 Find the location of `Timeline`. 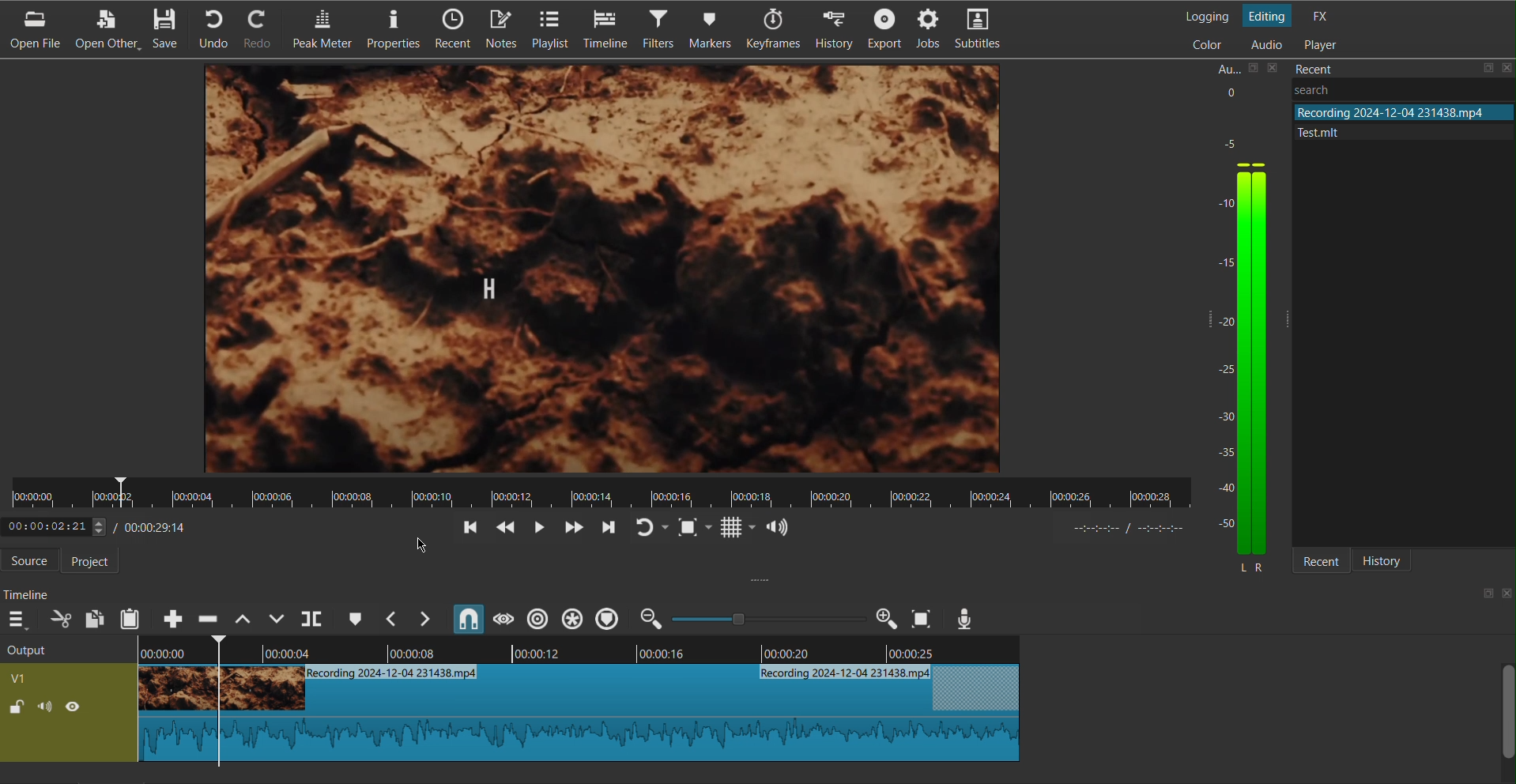

Timeline is located at coordinates (601, 493).